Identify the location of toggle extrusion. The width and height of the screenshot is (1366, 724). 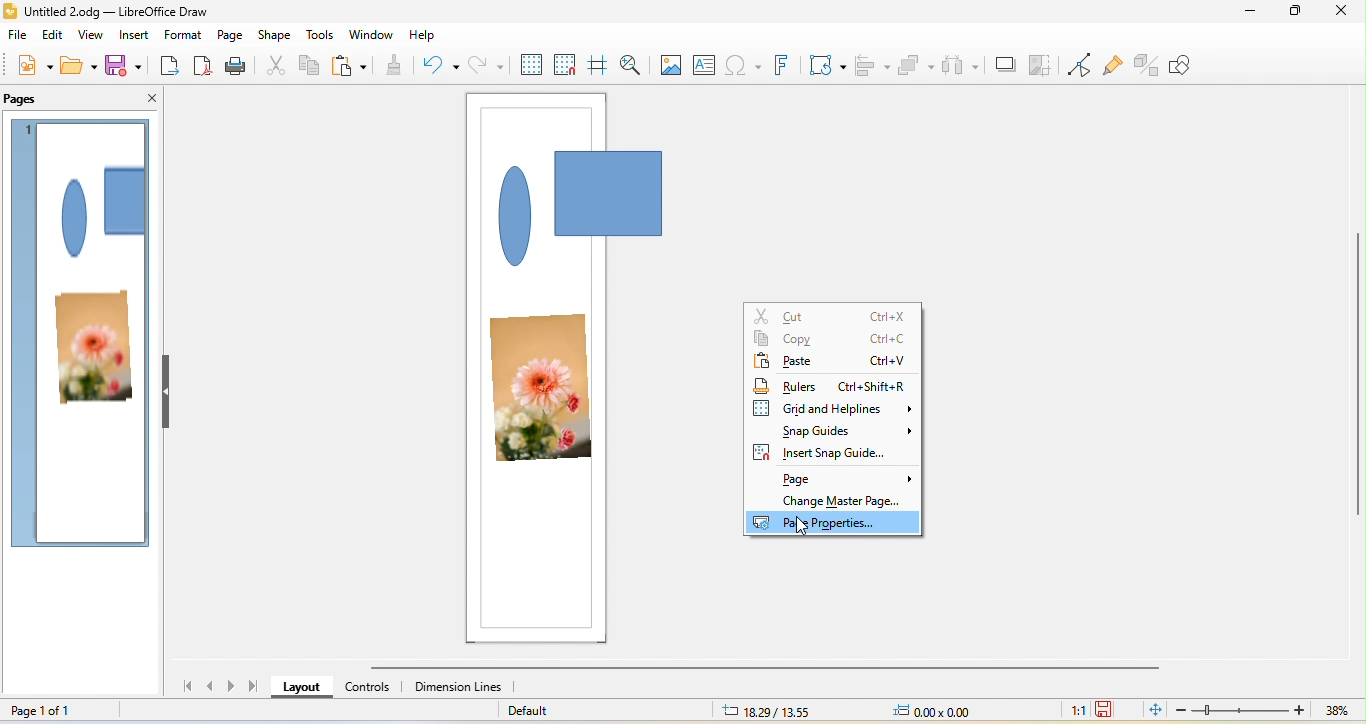
(1146, 64).